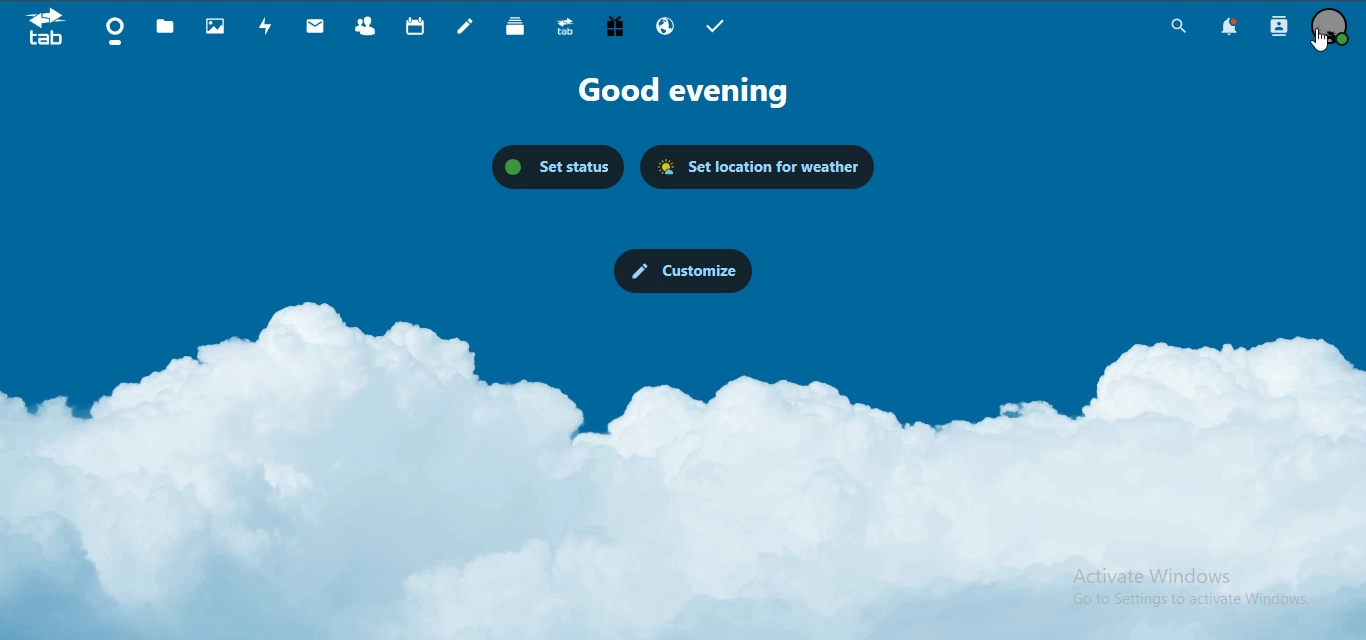  I want to click on cursor, so click(1318, 43).